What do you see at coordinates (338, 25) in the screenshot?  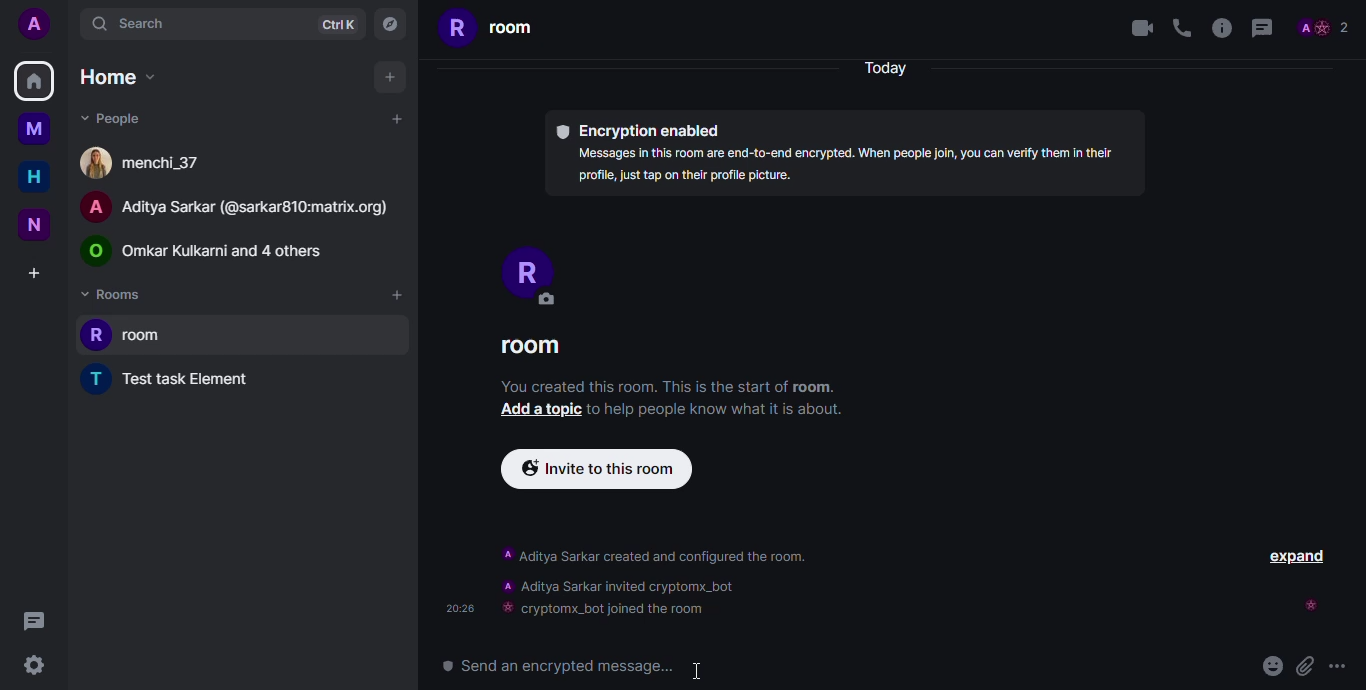 I see `ctrlK` at bounding box center [338, 25].